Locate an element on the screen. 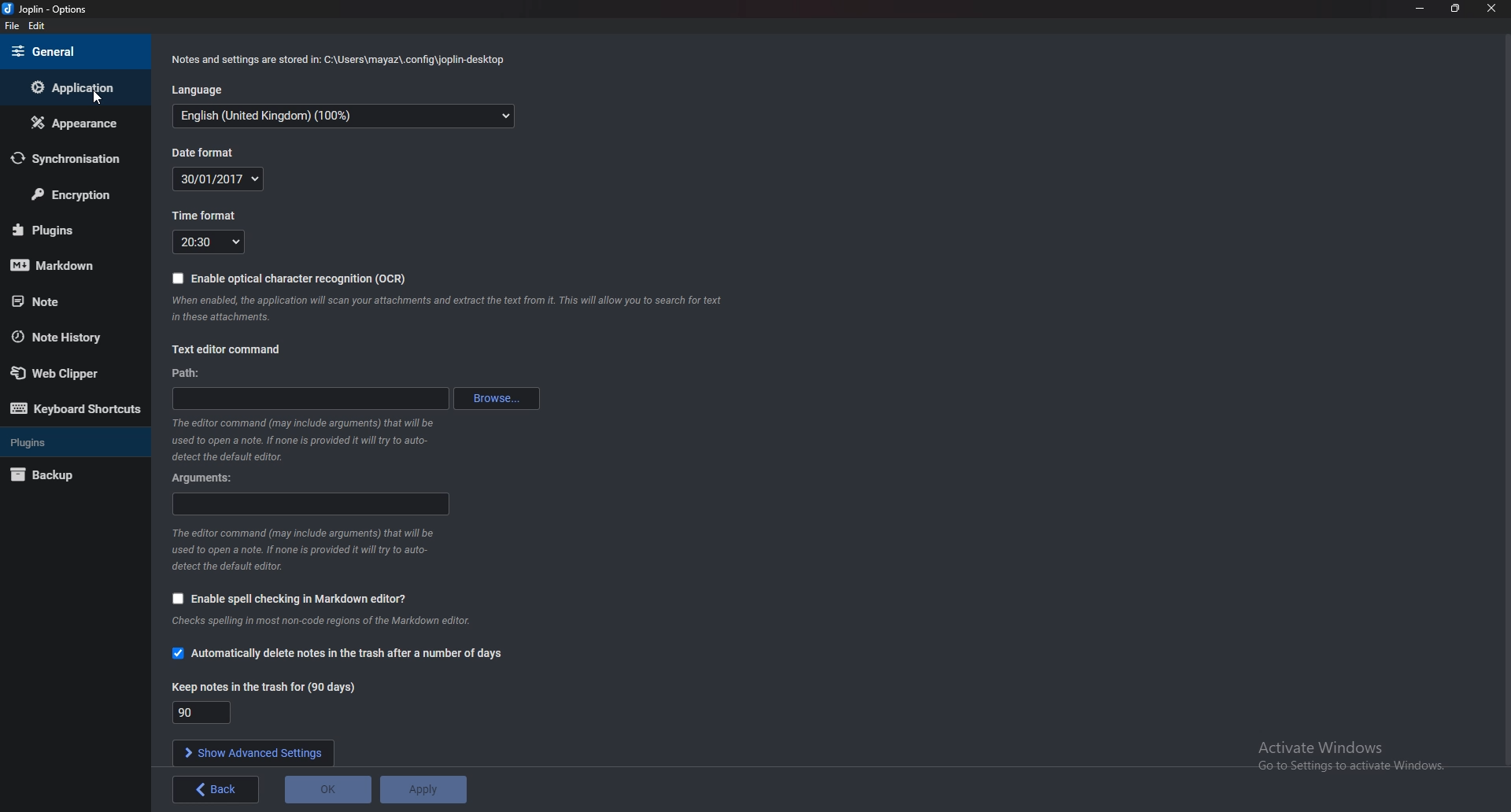 Image resolution: width=1511 pixels, height=812 pixels. Back up is located at coordinates (64, 474).